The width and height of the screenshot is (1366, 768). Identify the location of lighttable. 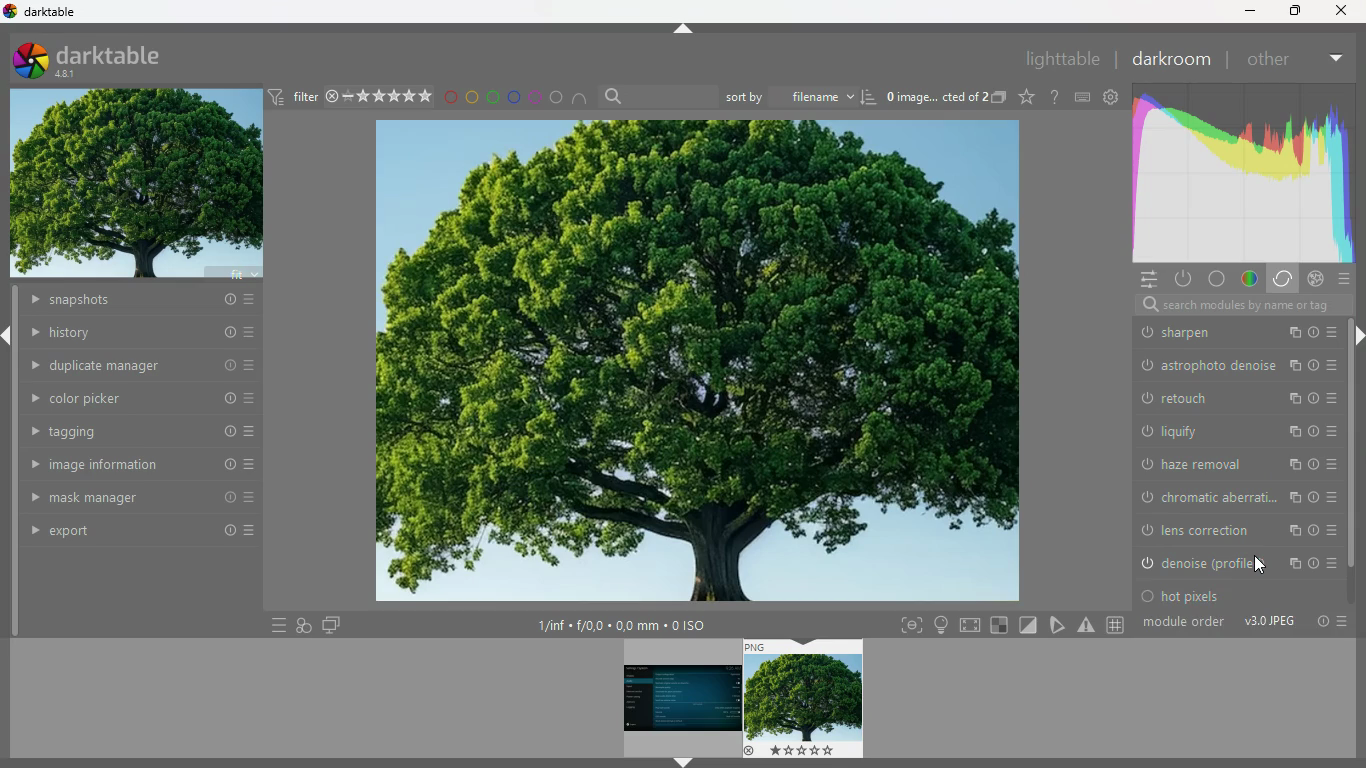
(1062, 61).